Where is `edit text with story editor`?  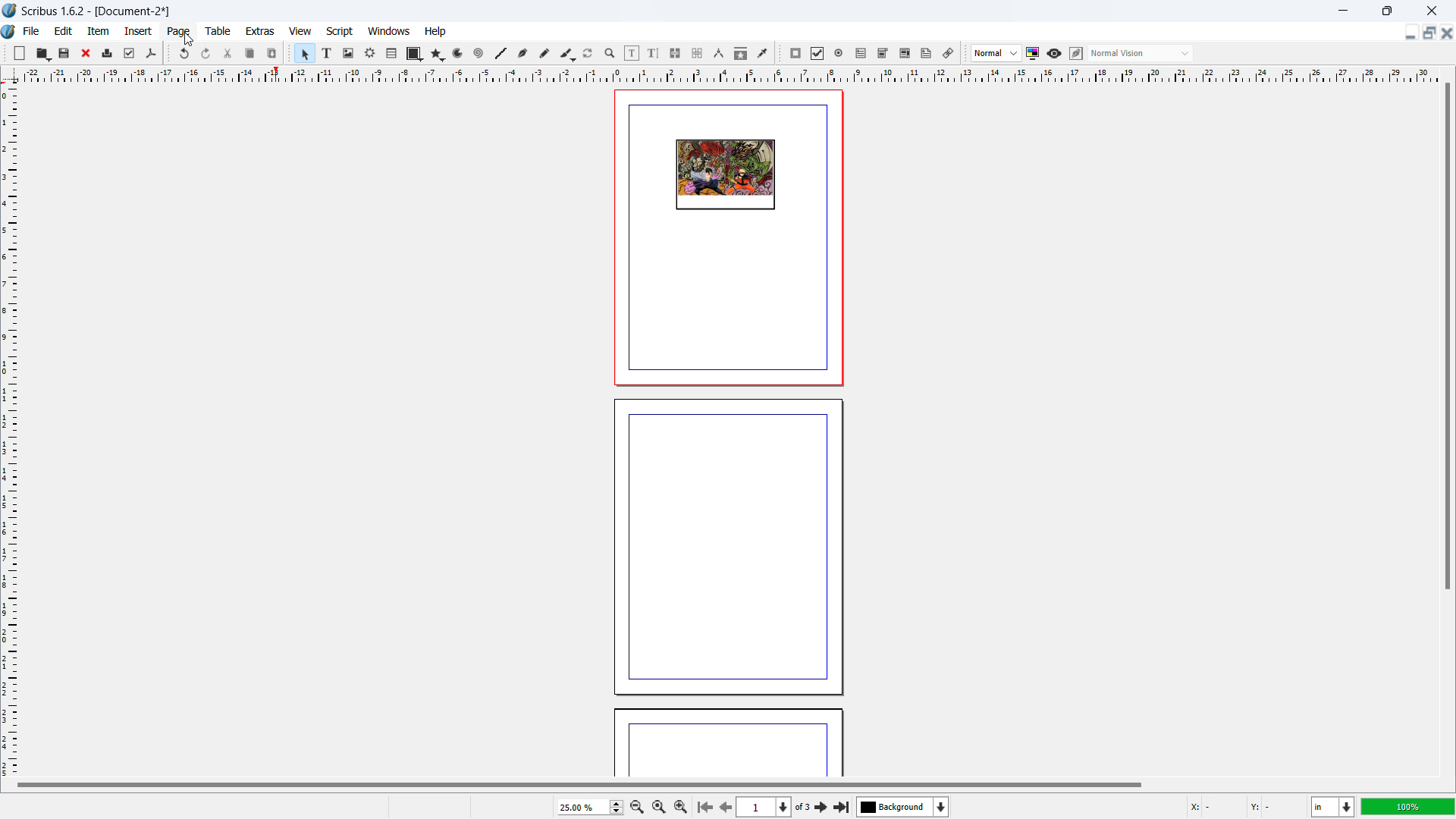
edit text with story editor is located at coordinates (653, 53).